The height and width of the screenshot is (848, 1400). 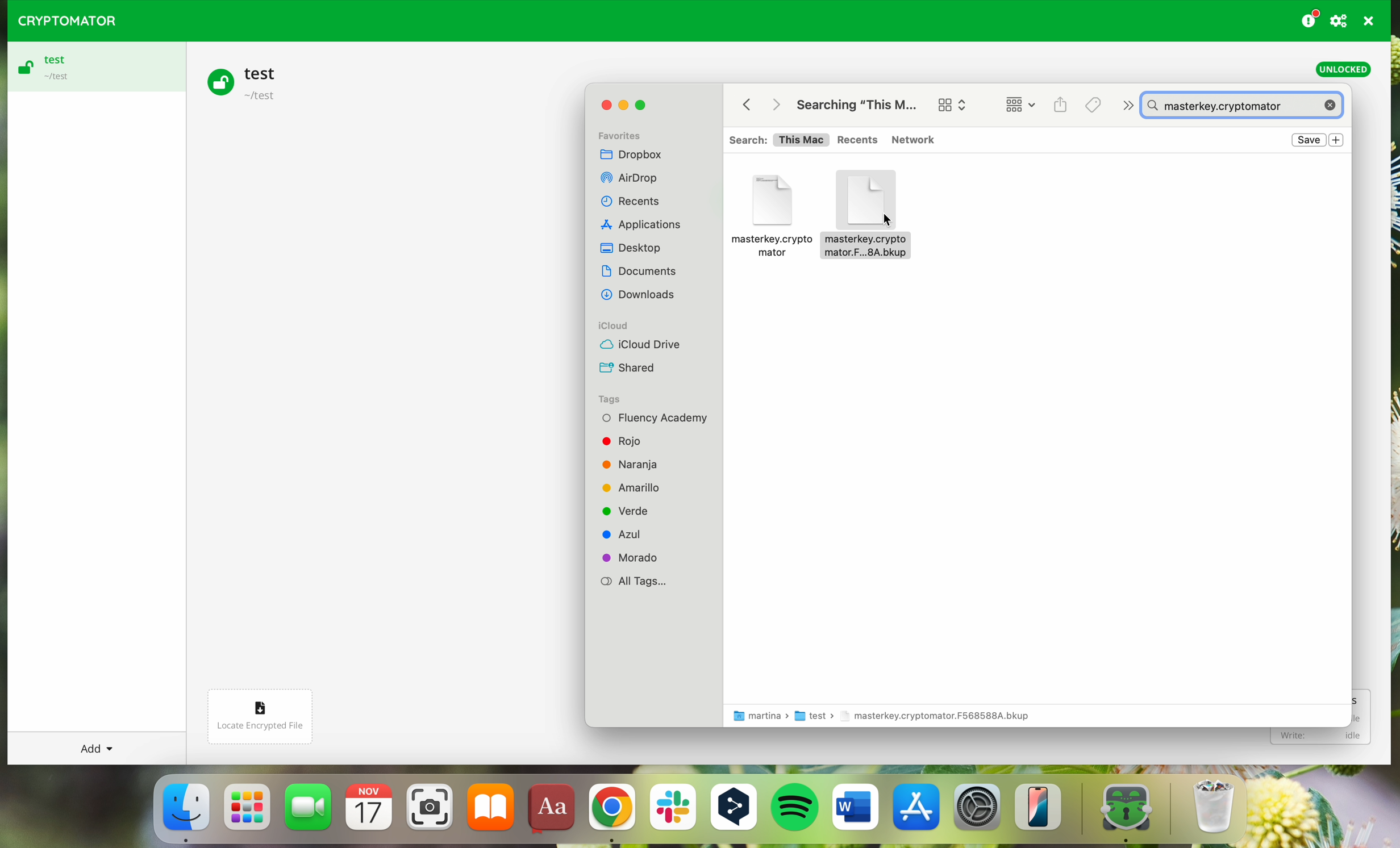 What do you see at coordinates (639, 153) in the screenshot?
I see `Dropbox` at bounding box center [639, 153].